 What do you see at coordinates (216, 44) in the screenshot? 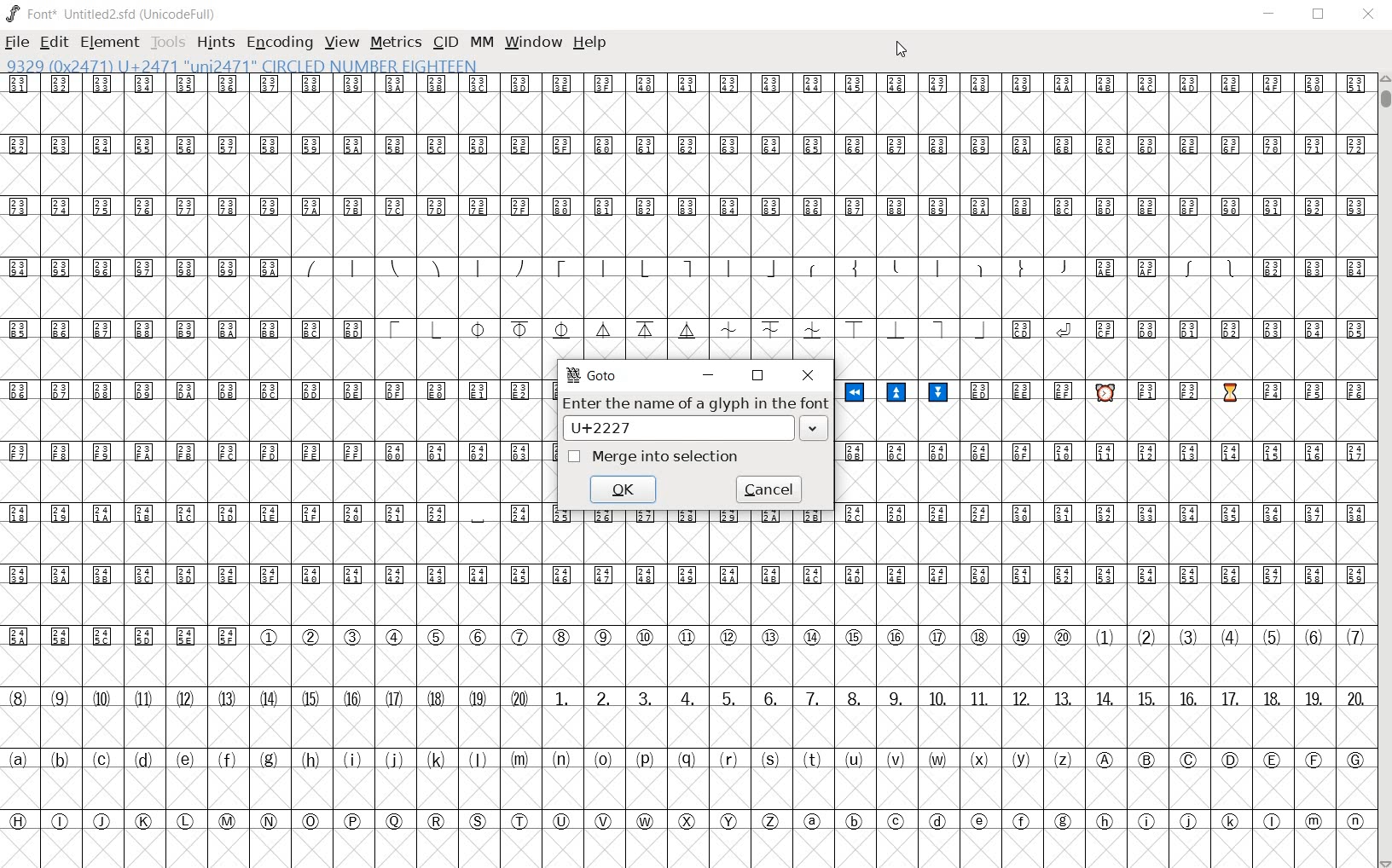
I see `hints` at bounding box center [216, 44].